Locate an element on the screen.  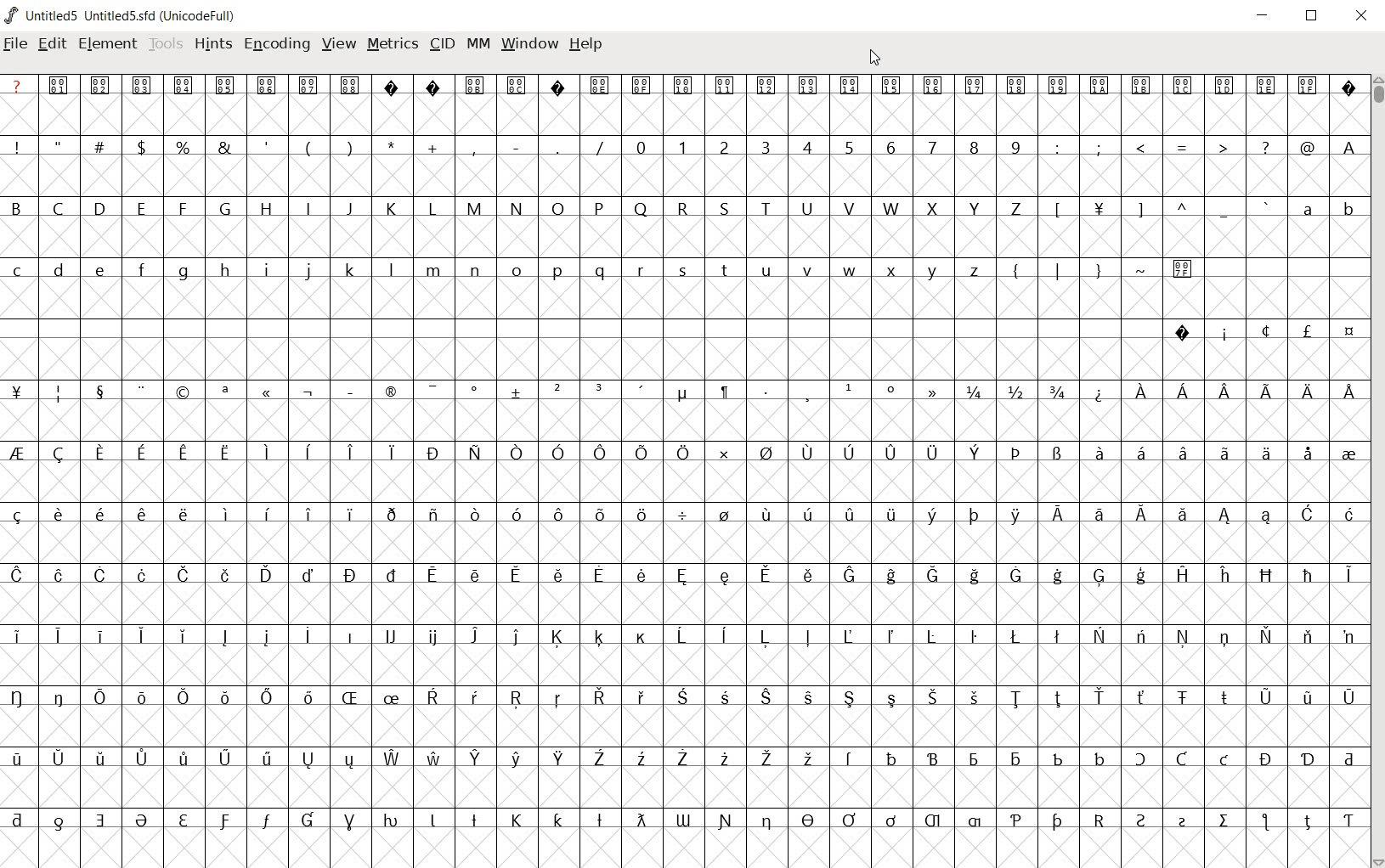
Untitled5 Untitled5.sfd (UnicodeFull) is located at coordinates (133, 18).